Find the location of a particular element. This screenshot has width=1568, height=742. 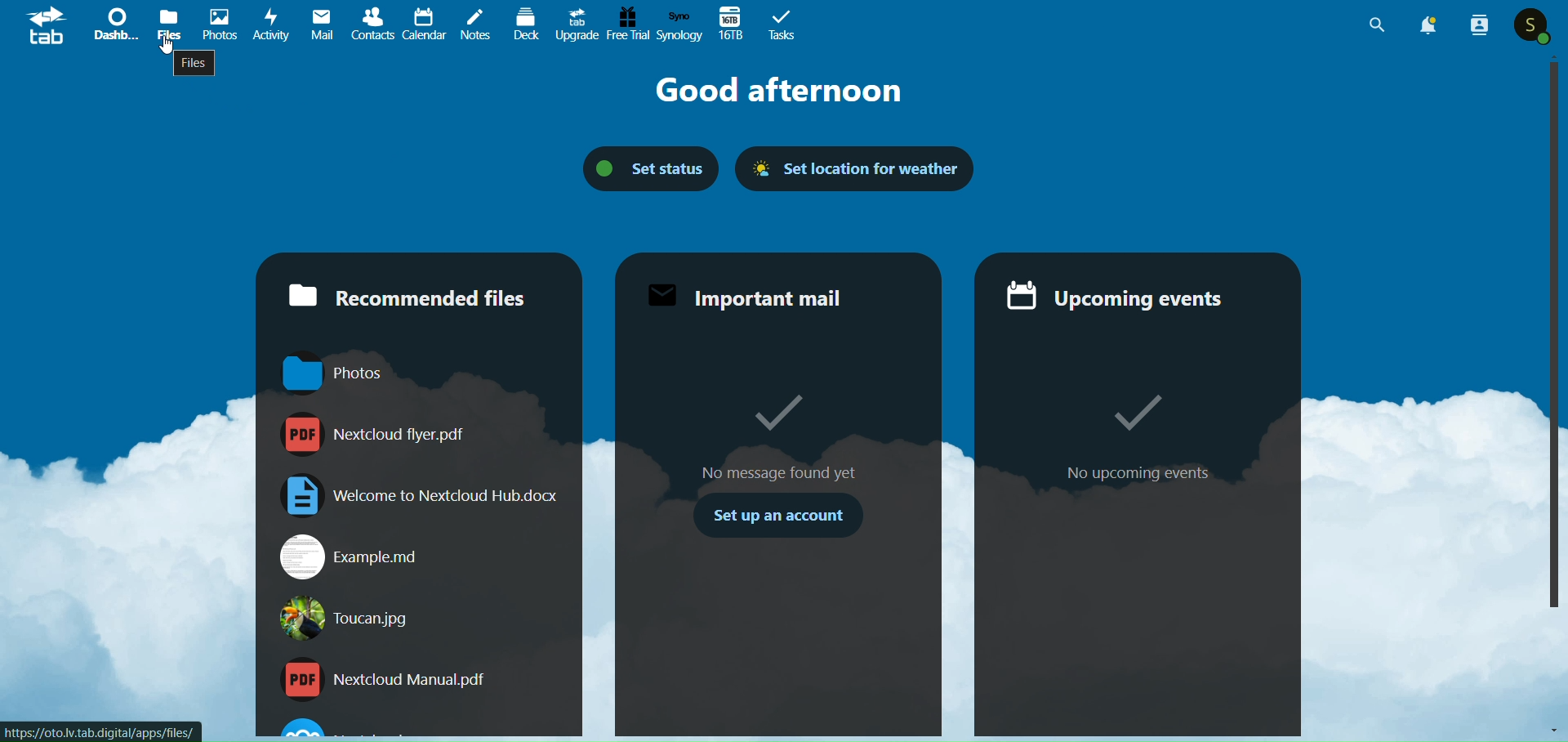

set up an account is located at coordinates (779, 516).